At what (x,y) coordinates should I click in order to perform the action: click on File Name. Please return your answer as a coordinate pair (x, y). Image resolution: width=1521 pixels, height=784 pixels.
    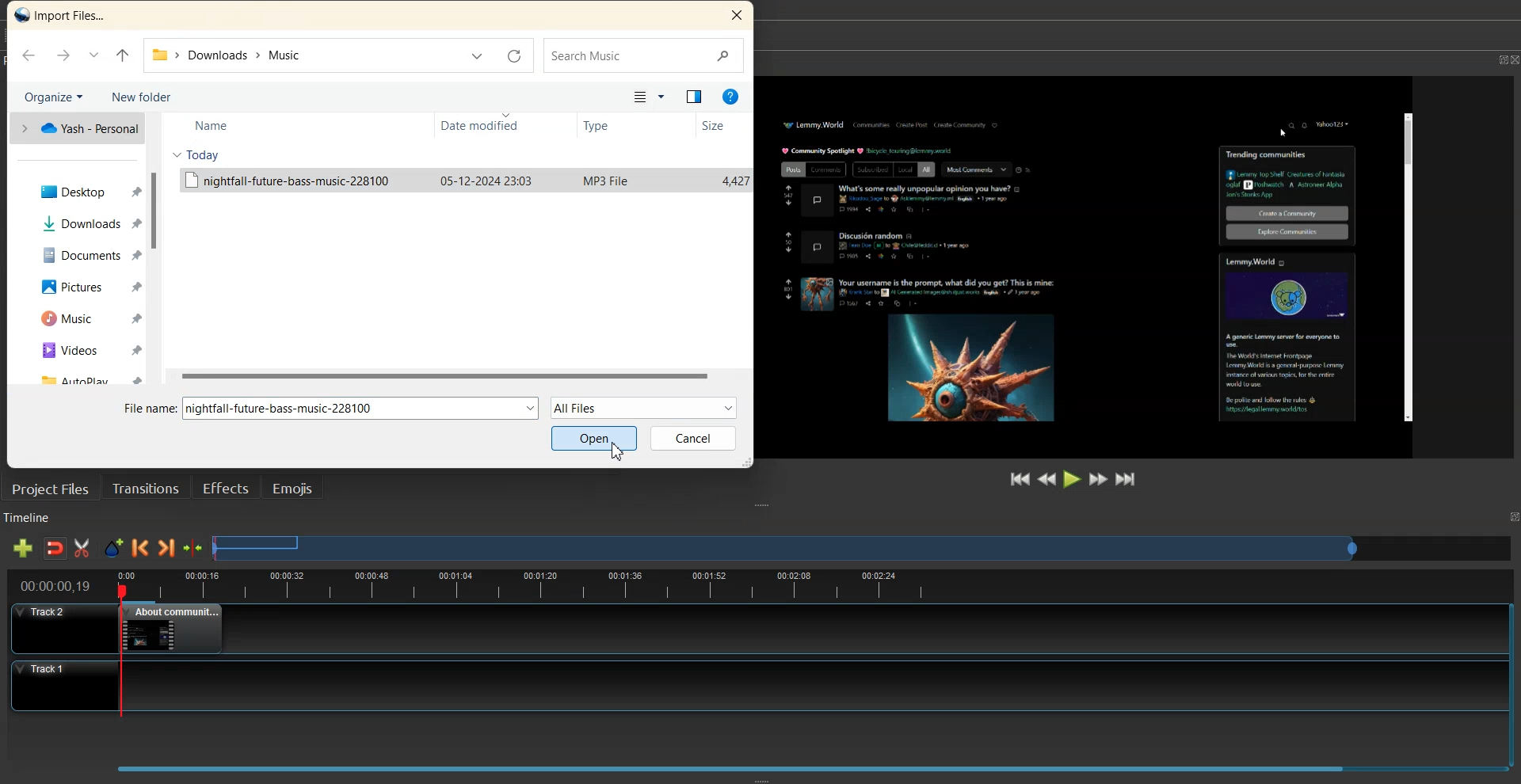
    Looking at the image, I should click on (331, 409).